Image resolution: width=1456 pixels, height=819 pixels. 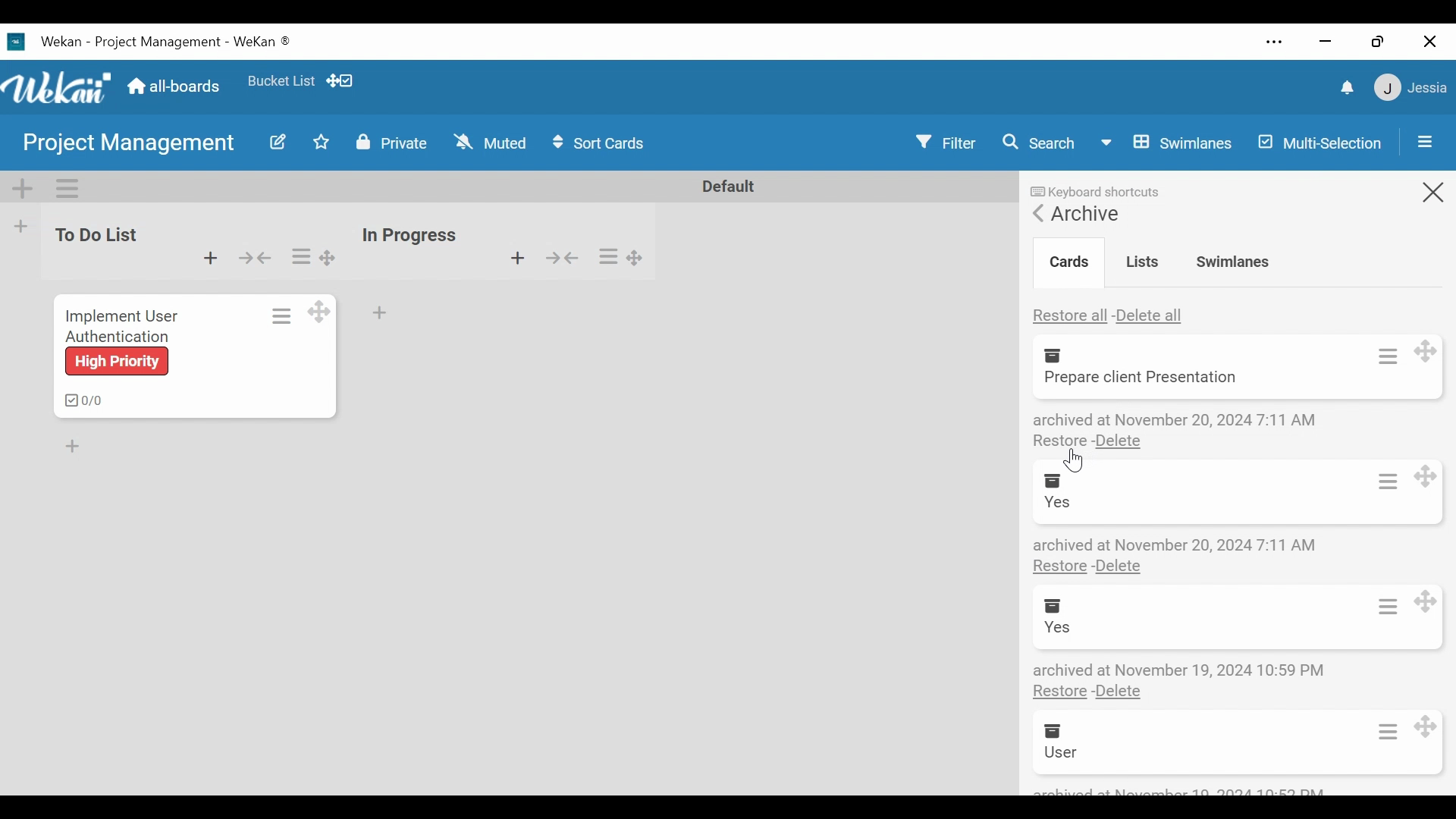 What do you see at coordinates (1153, 755) in the screenshot?
I see `Implement user authentication` at bounding box center [1153, 755].